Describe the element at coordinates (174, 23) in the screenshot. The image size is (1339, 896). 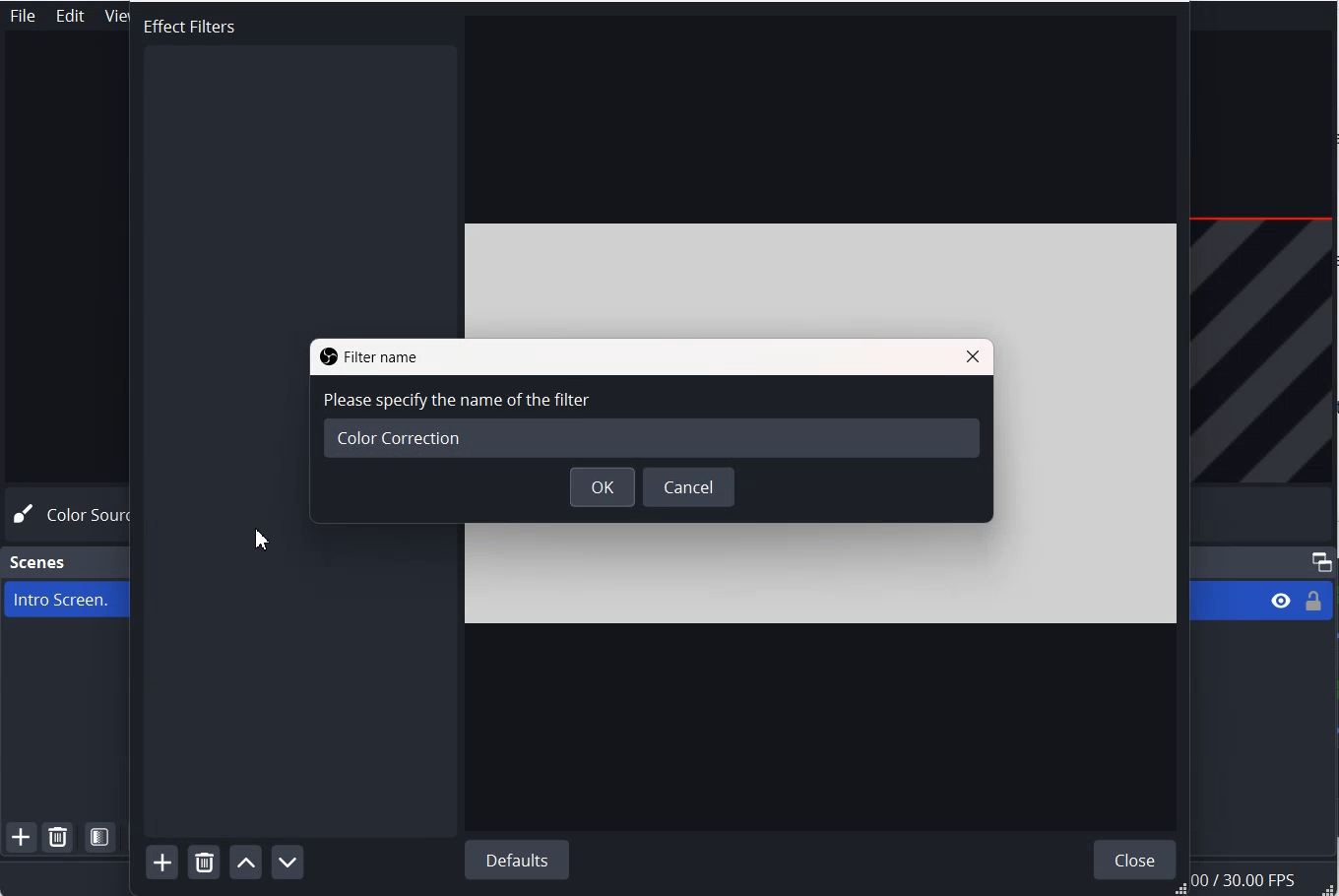
I see `Text` at that location.